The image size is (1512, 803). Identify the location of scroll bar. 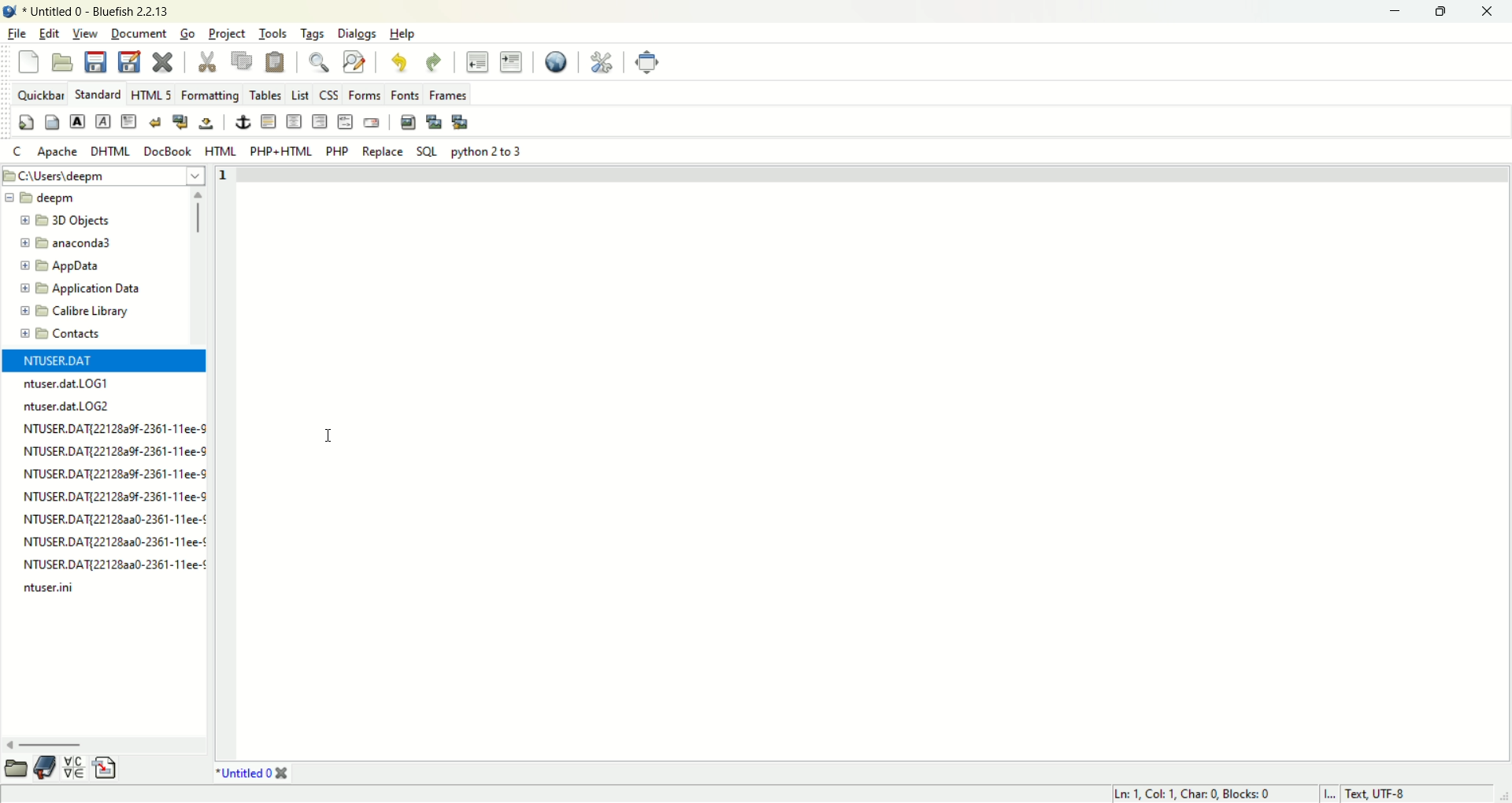
(197, 268).